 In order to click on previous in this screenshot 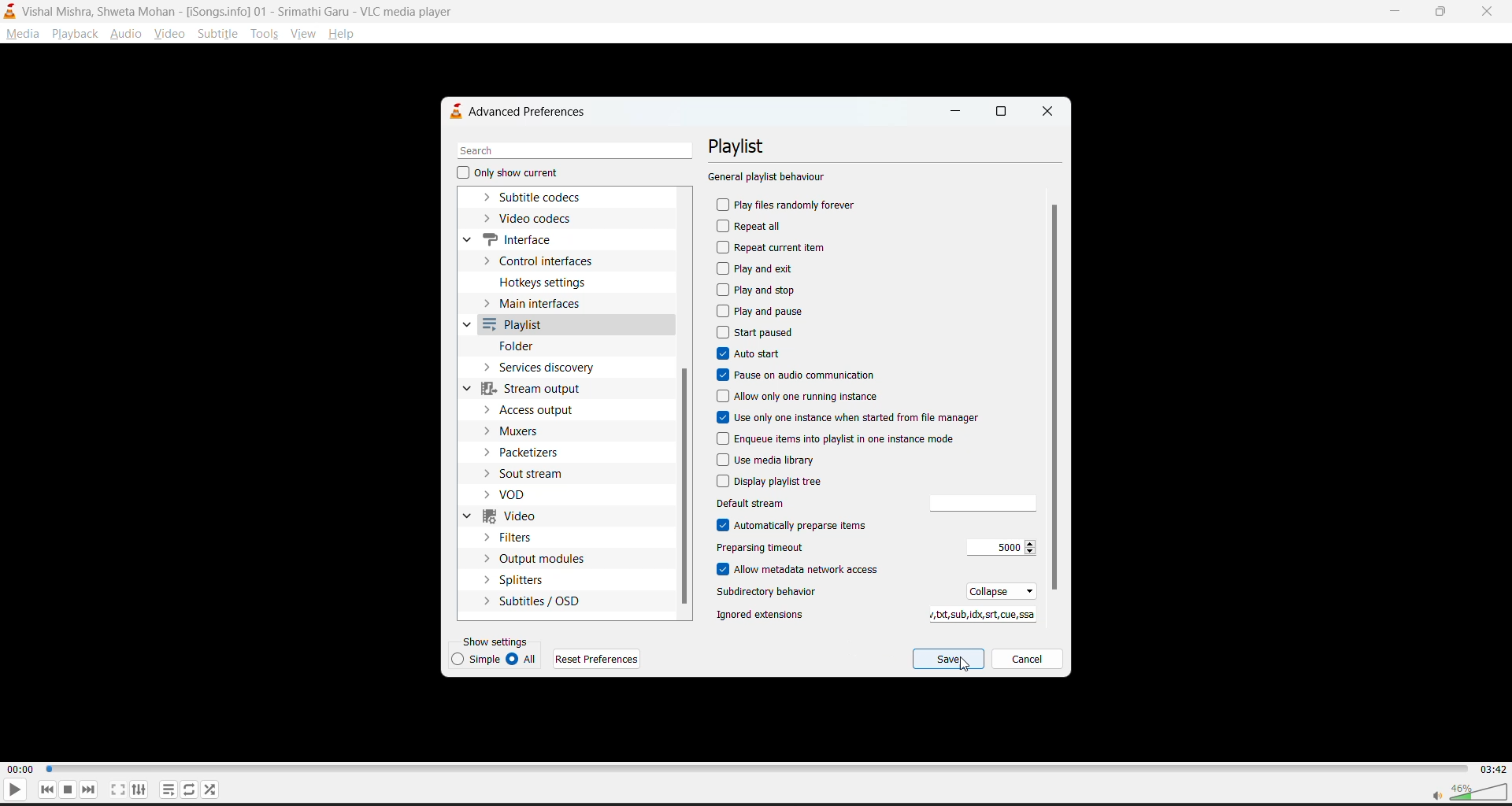, I will do `click(48, 789)`.